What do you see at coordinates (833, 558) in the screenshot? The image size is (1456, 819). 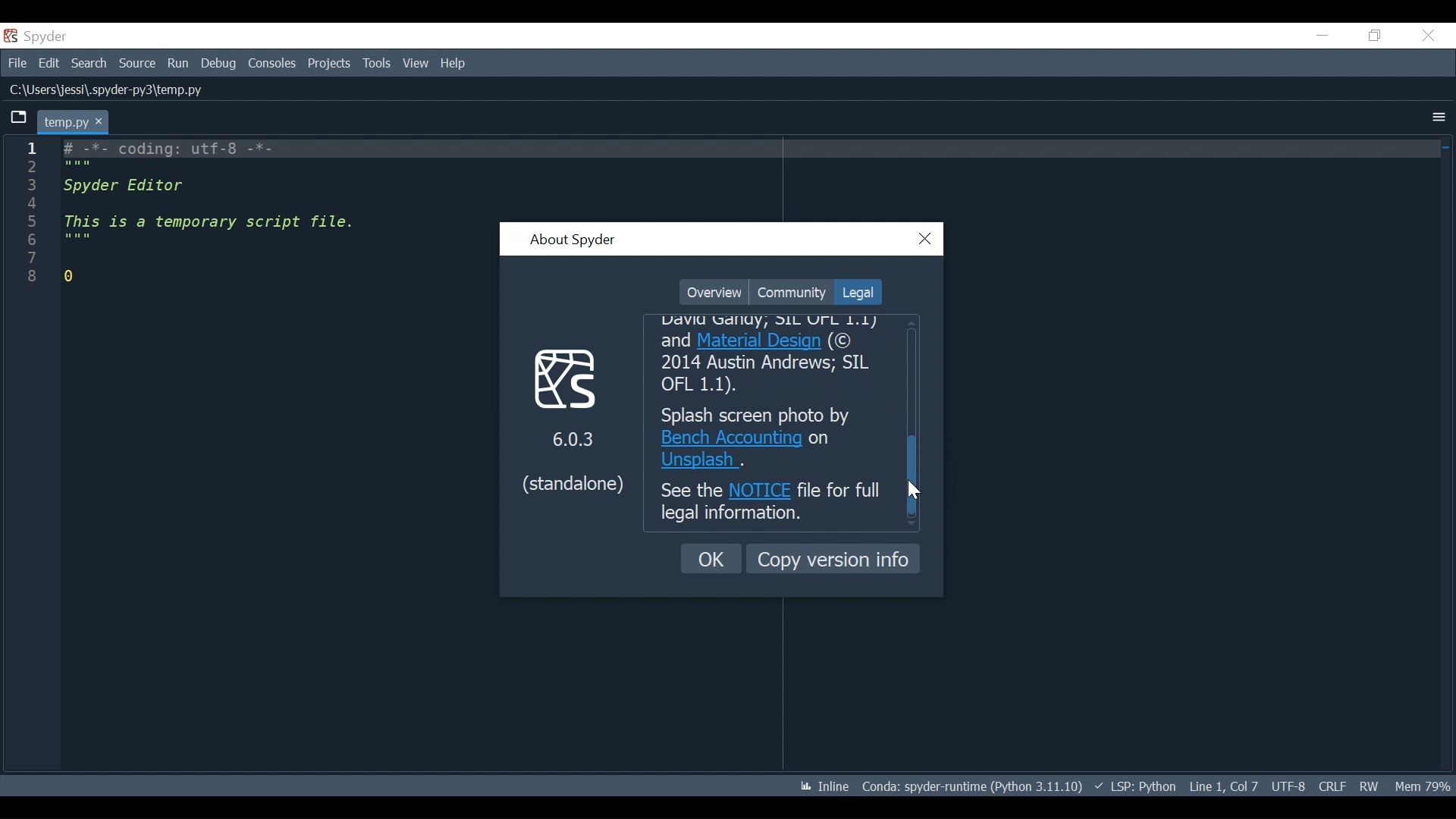 I see `Copy Version Information` at bounding box center [833, 558].